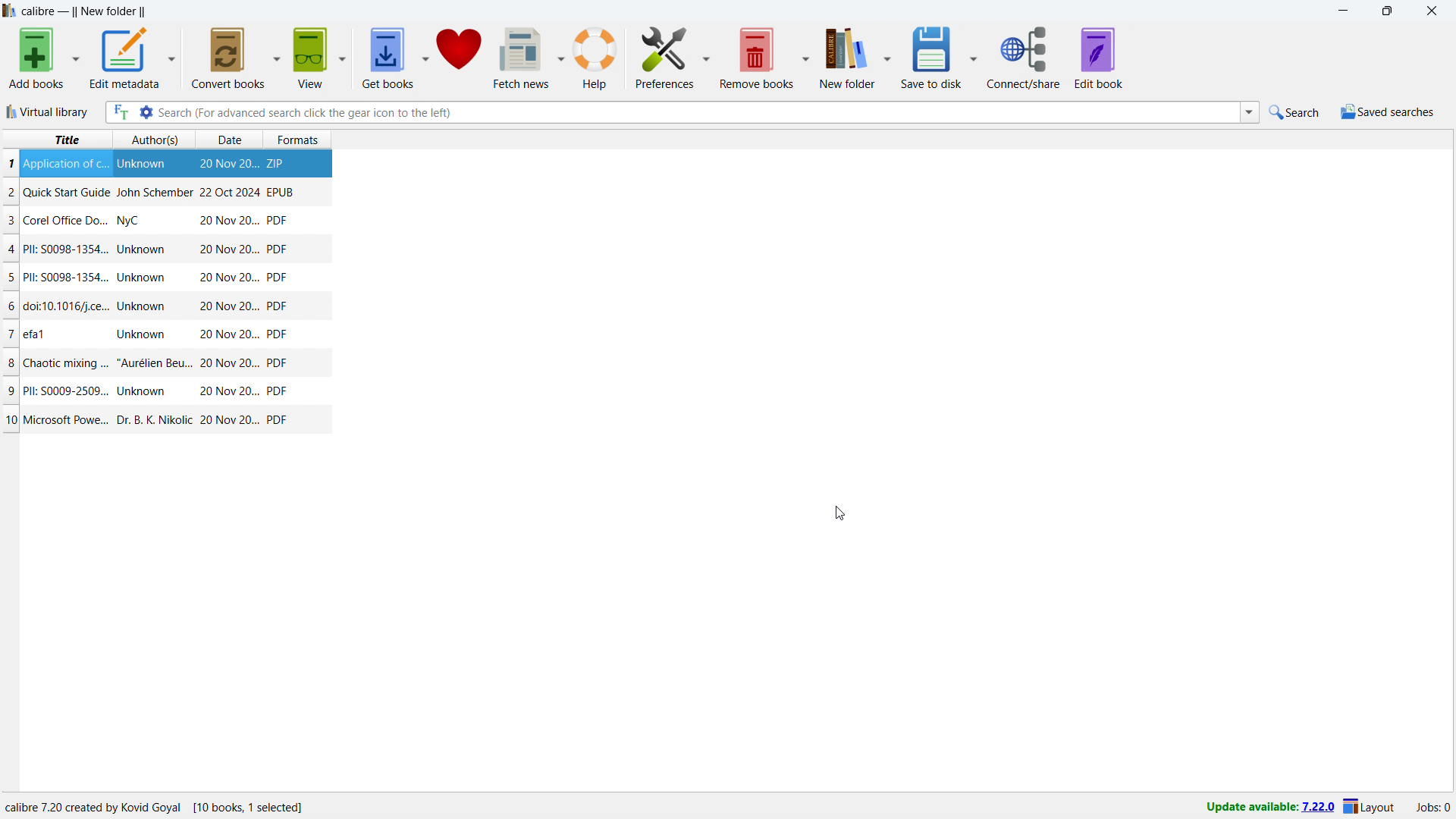  What do you see at coordinates (229, 249) in the screenshot?
I see `Date` at bounding box center [229, 249].